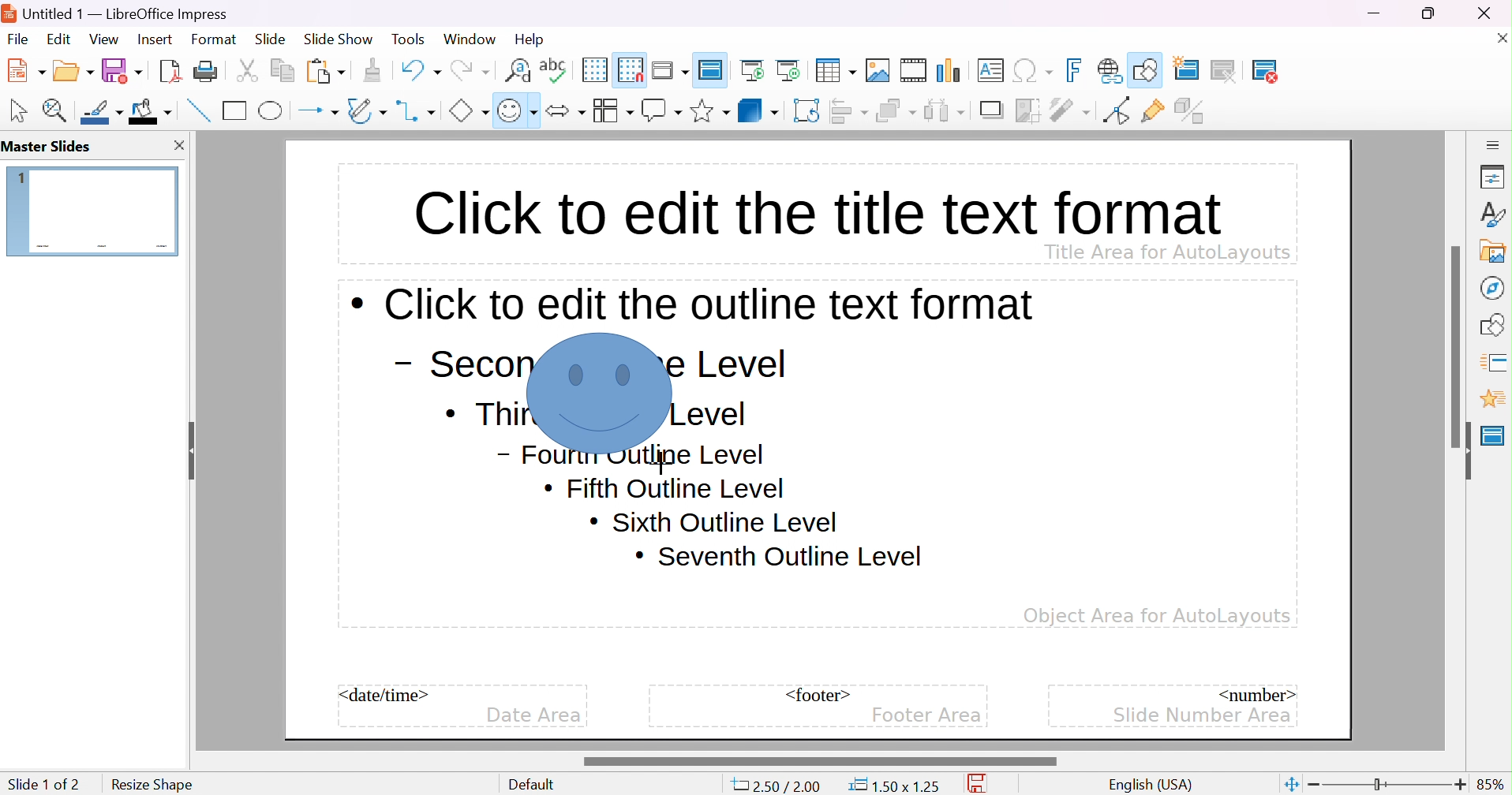 The image size is (1512, 795). What do you see at coordinates (531, 39) in the screenshot?
I see `help` at bounding box center [531, 39].